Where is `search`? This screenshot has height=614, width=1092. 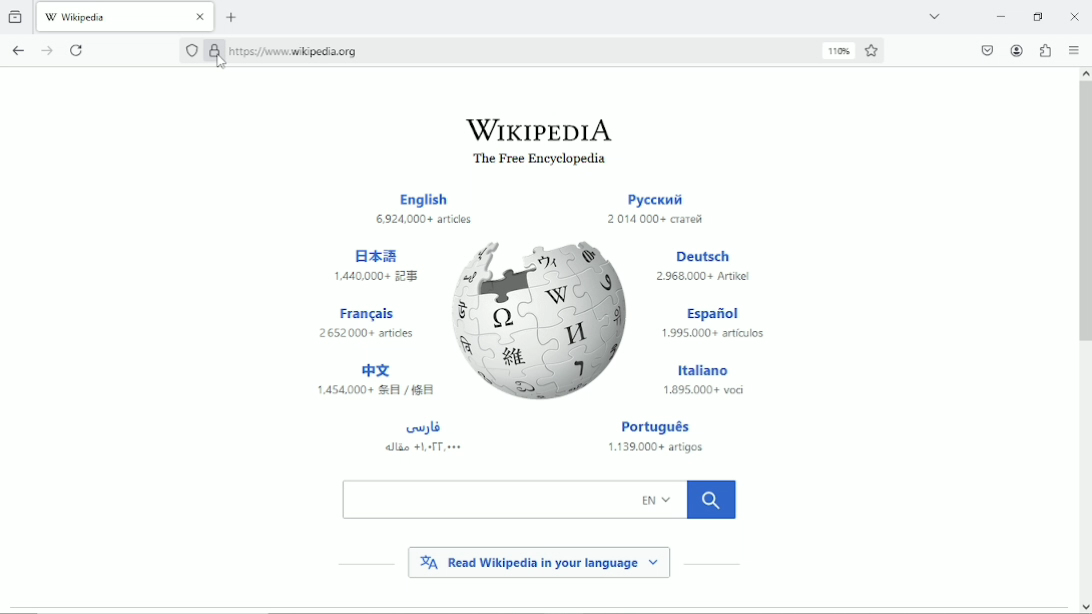 search is located at coordinates (539, 499).